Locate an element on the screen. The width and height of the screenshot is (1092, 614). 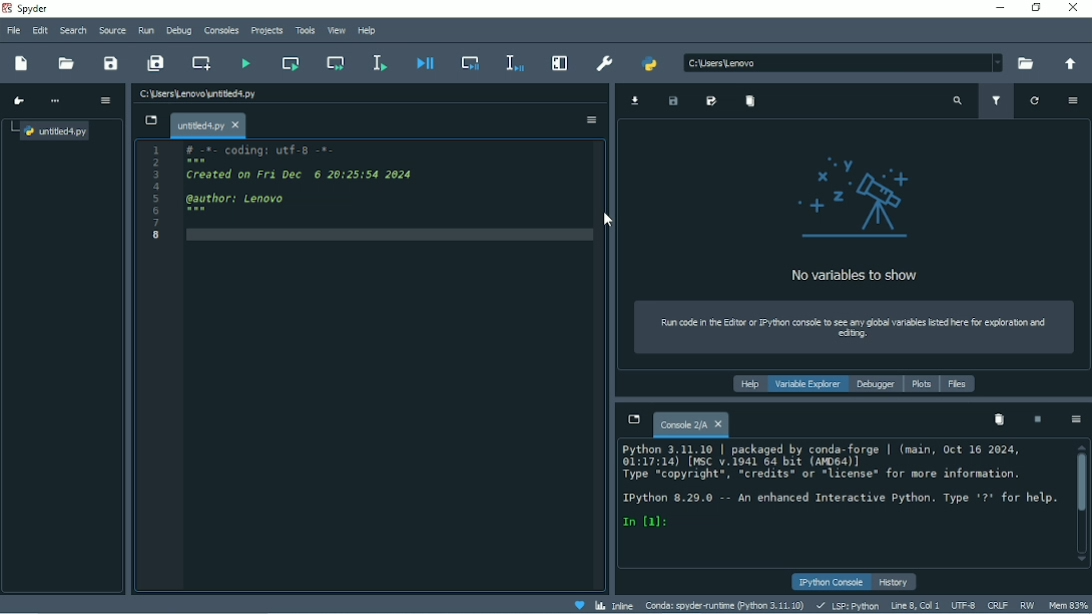
Help Spyder is located at coordinates (578, 605).